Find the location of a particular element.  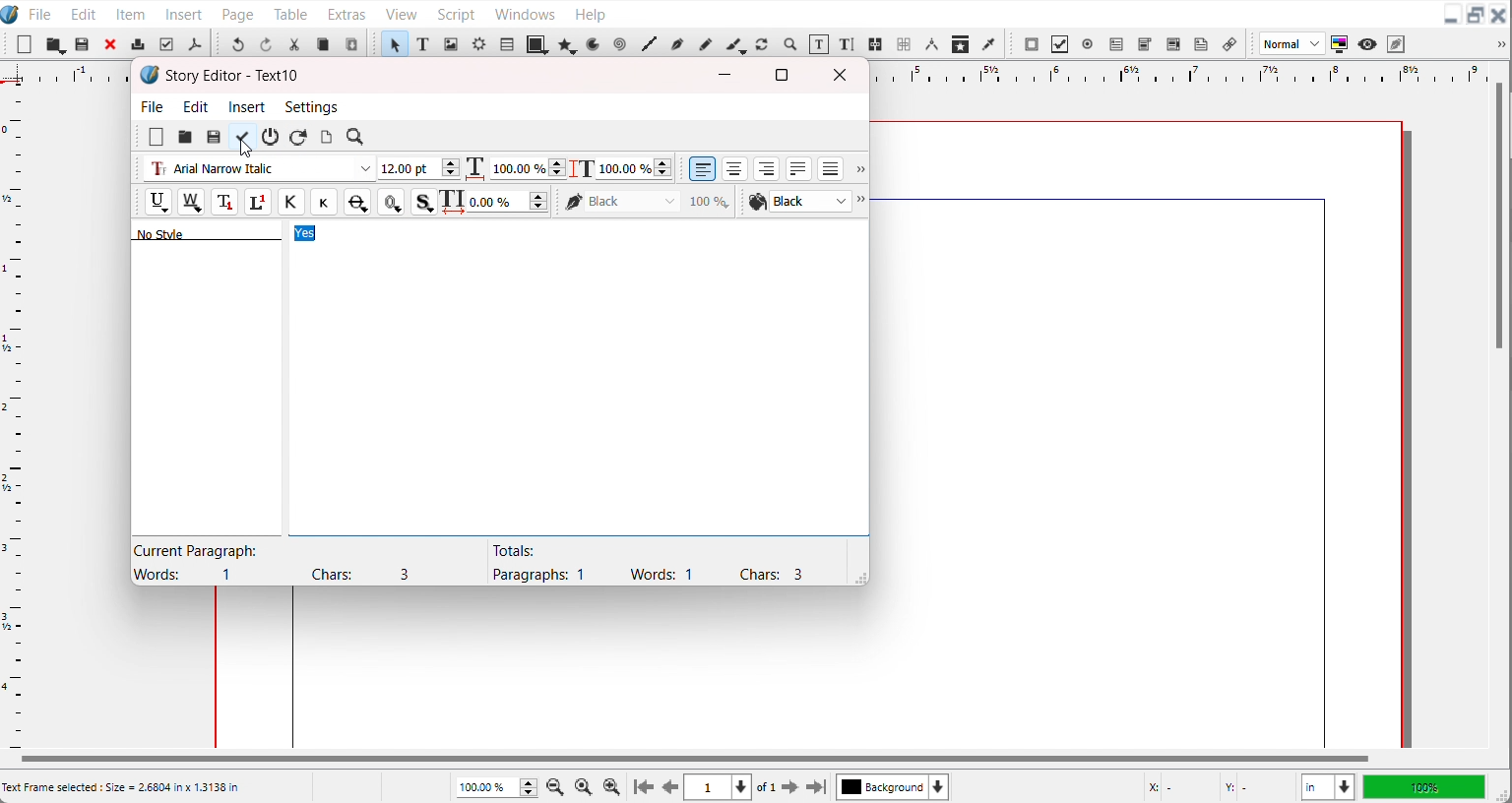

Underline is located at coordinates (157, 202).